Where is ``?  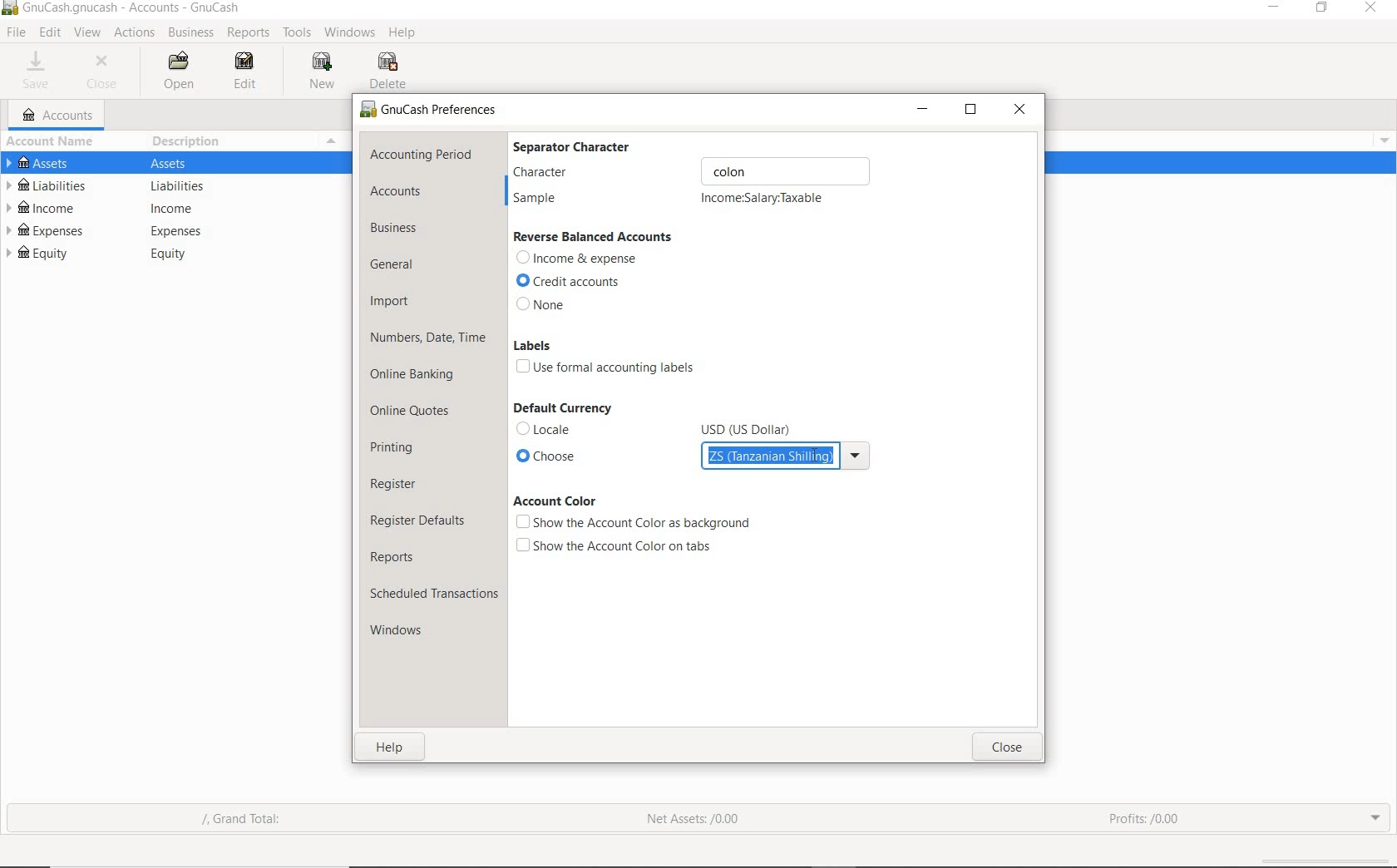  is located at coordinates (751, 424).